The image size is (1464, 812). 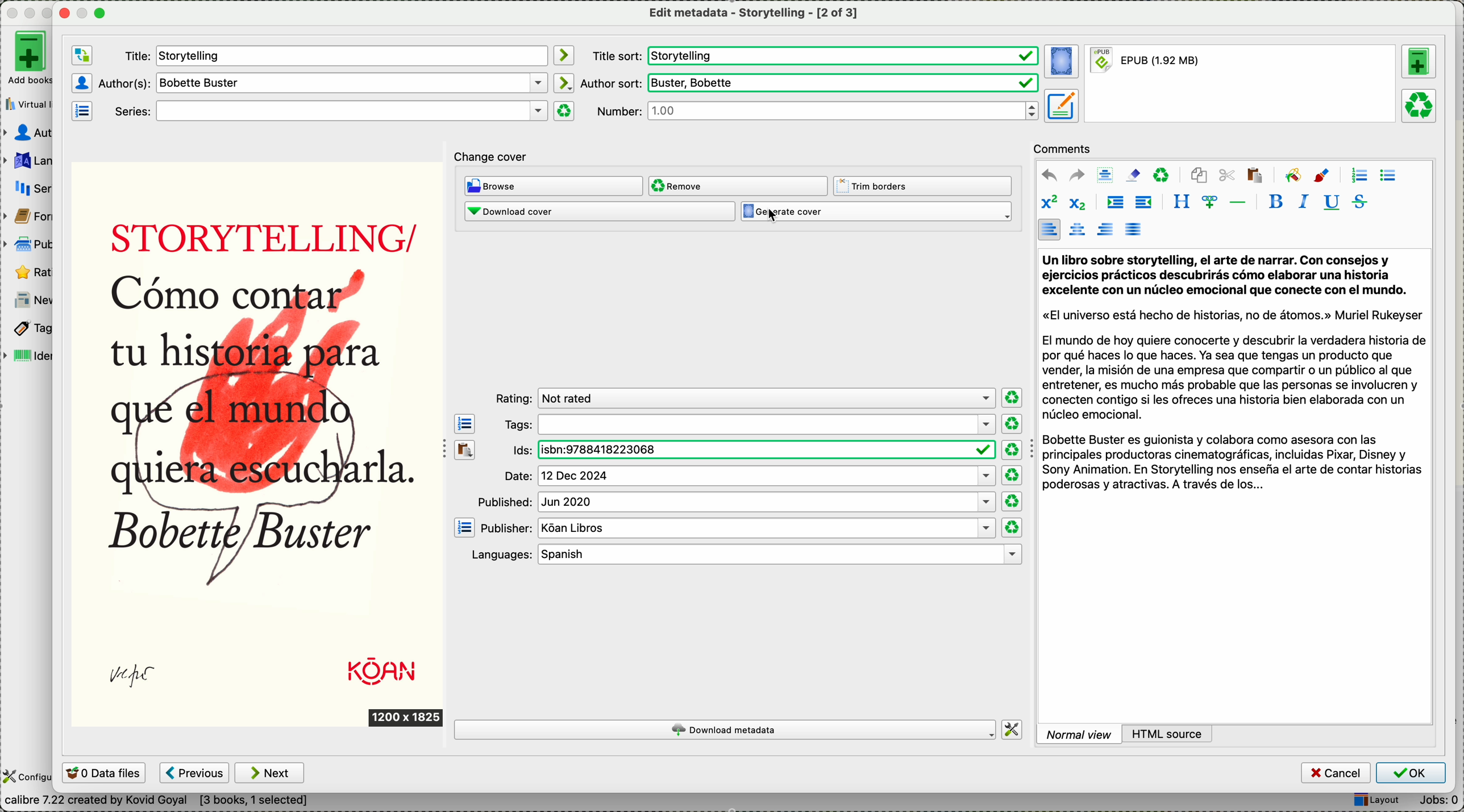 I want to click on add a format to this book, so click(x=1419, y=62).